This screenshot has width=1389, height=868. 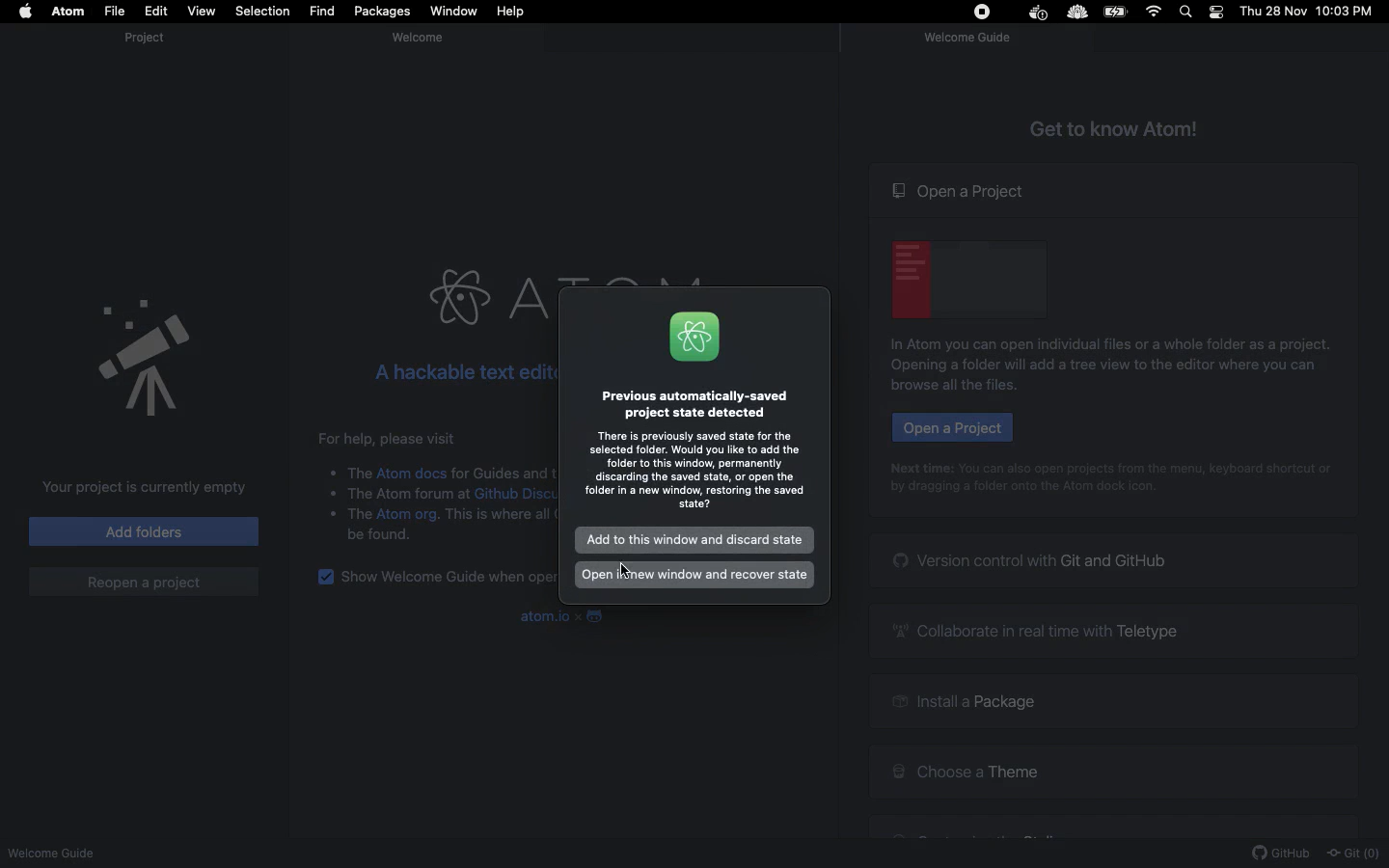 What do you see at coordinates (360, 470) in the screenshot?
I see `` at bounding box center [360, 470].